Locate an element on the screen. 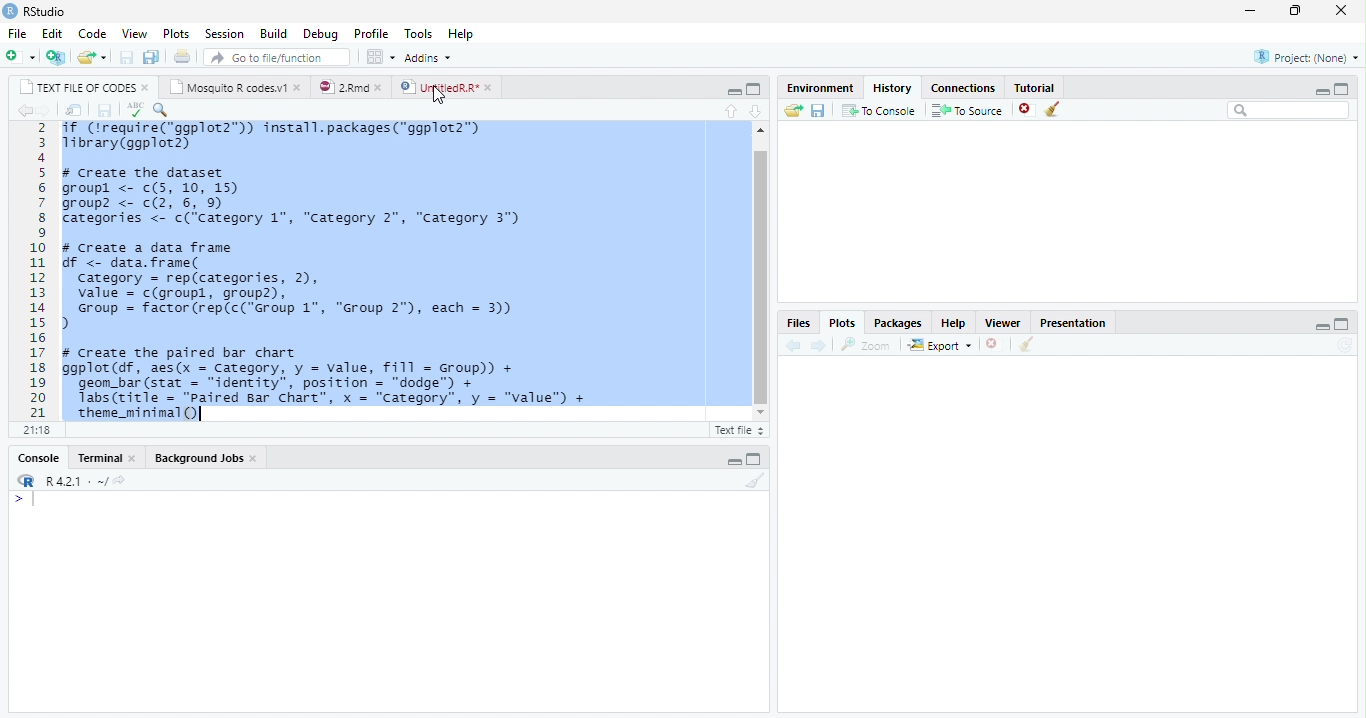 The height and width of the screenshot is (718, 1366). terminal is located at coordinates (98, 458).